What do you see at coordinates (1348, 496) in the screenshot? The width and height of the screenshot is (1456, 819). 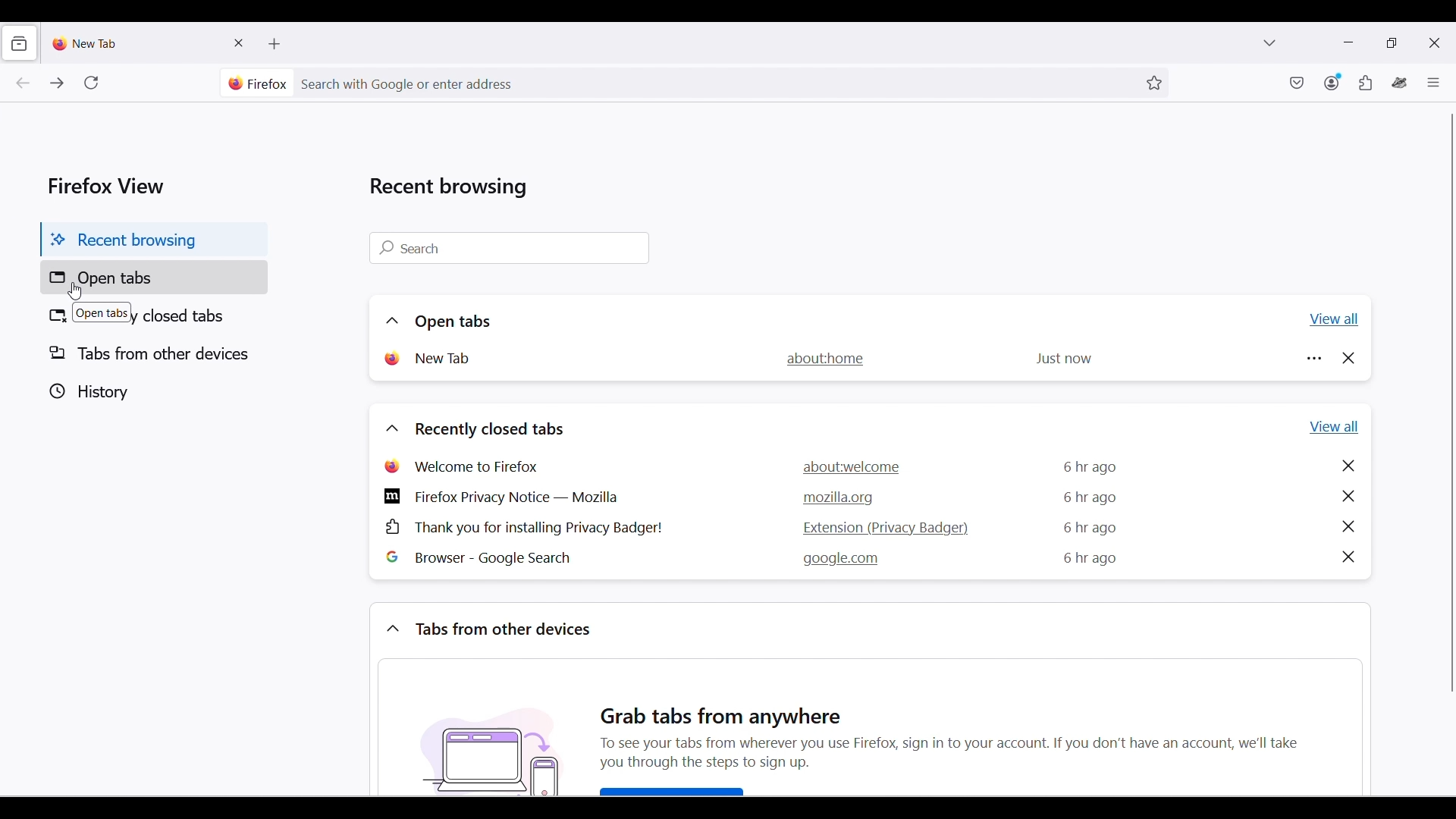 I see `Close Firefox Privacy Notice tab` at bounding box center [1348, 496].